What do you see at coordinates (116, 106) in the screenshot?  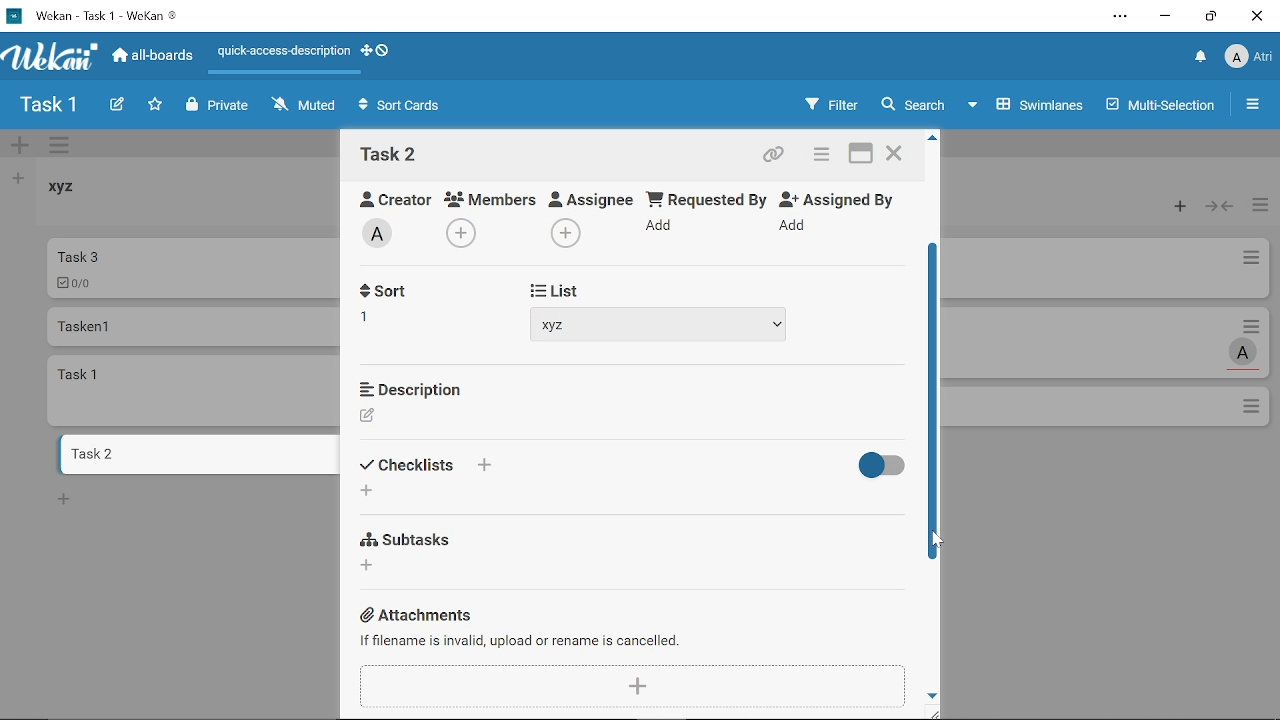 I see `Create` at bounding box center [116, 106].